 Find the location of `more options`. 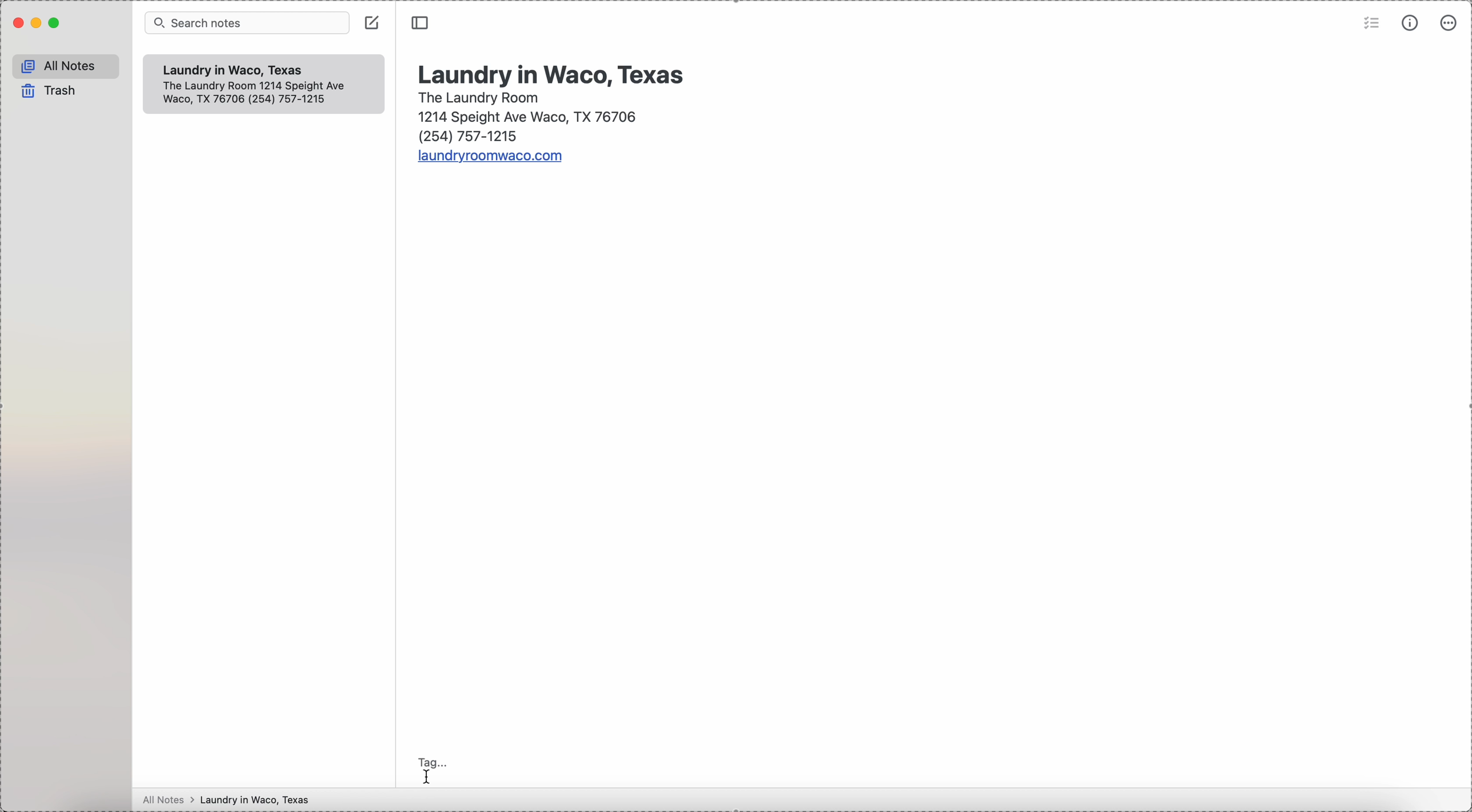

more options is located at coordinates (1451, 23).